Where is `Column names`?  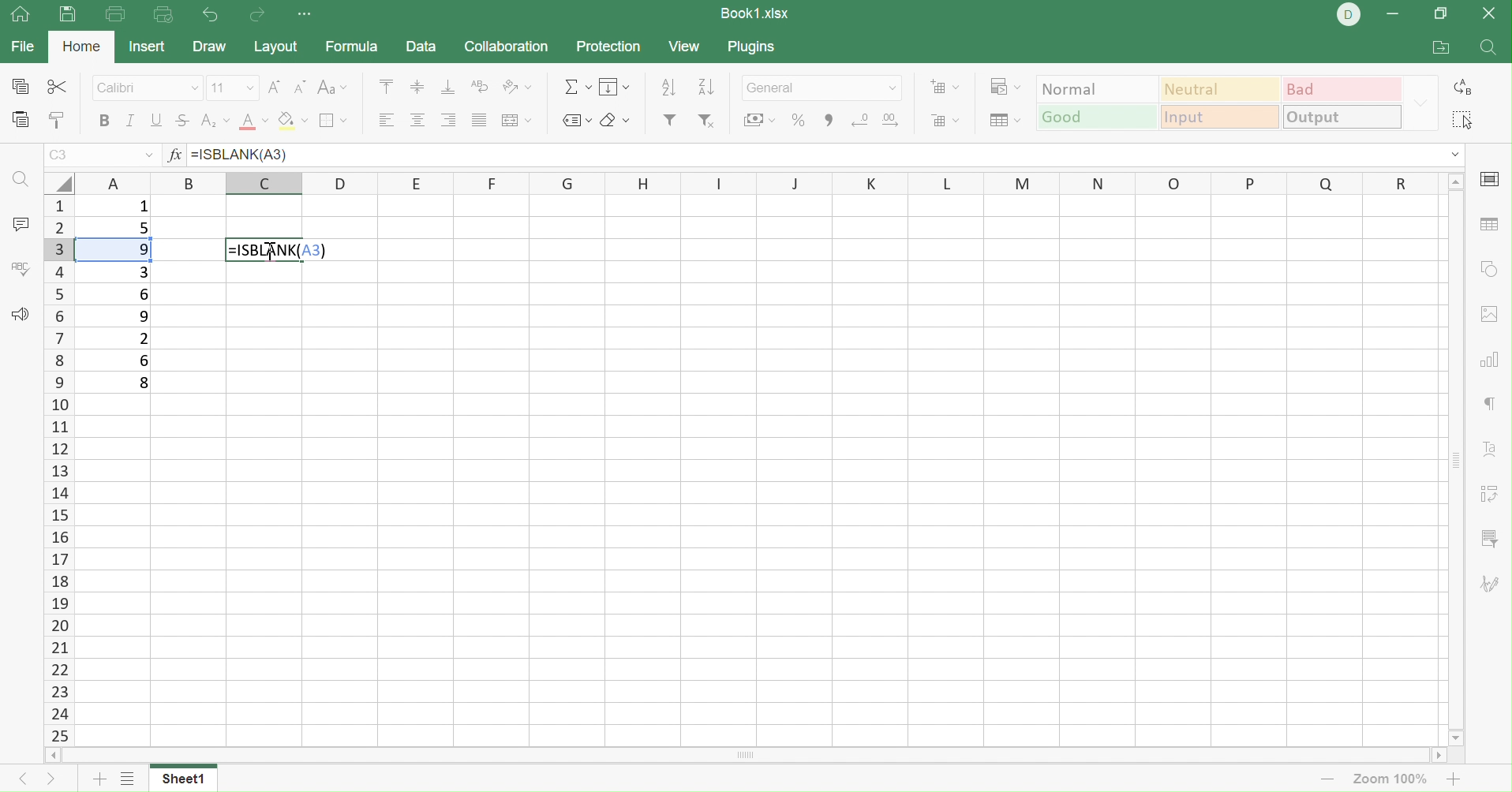
Column names is located at coordinates (757, 185).